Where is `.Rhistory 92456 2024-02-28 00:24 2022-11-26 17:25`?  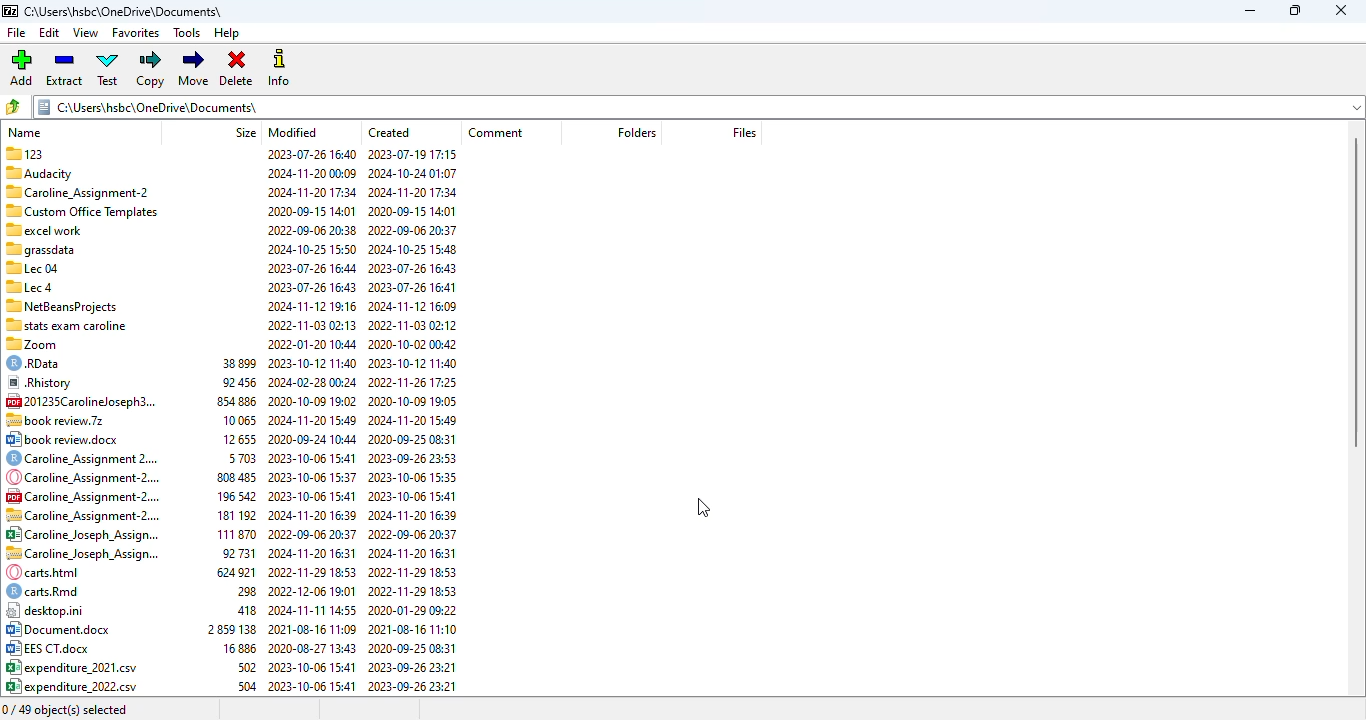
.Rhistory 92456 2024-02-28 00:24 2022-11-26 17:25 is located at coordinates (231, 365).